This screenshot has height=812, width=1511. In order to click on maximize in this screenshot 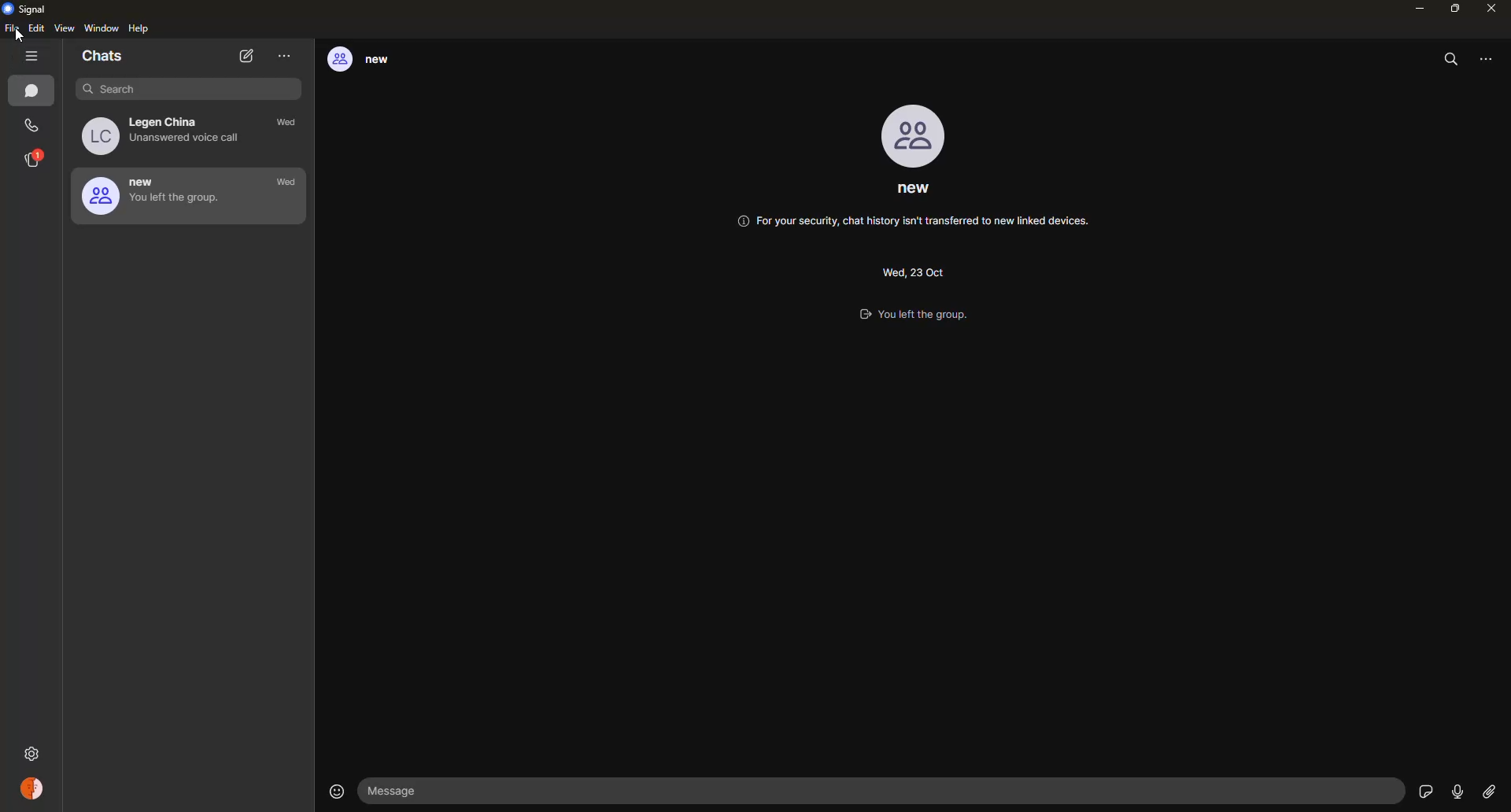, I will do `click(1454, 8)`.